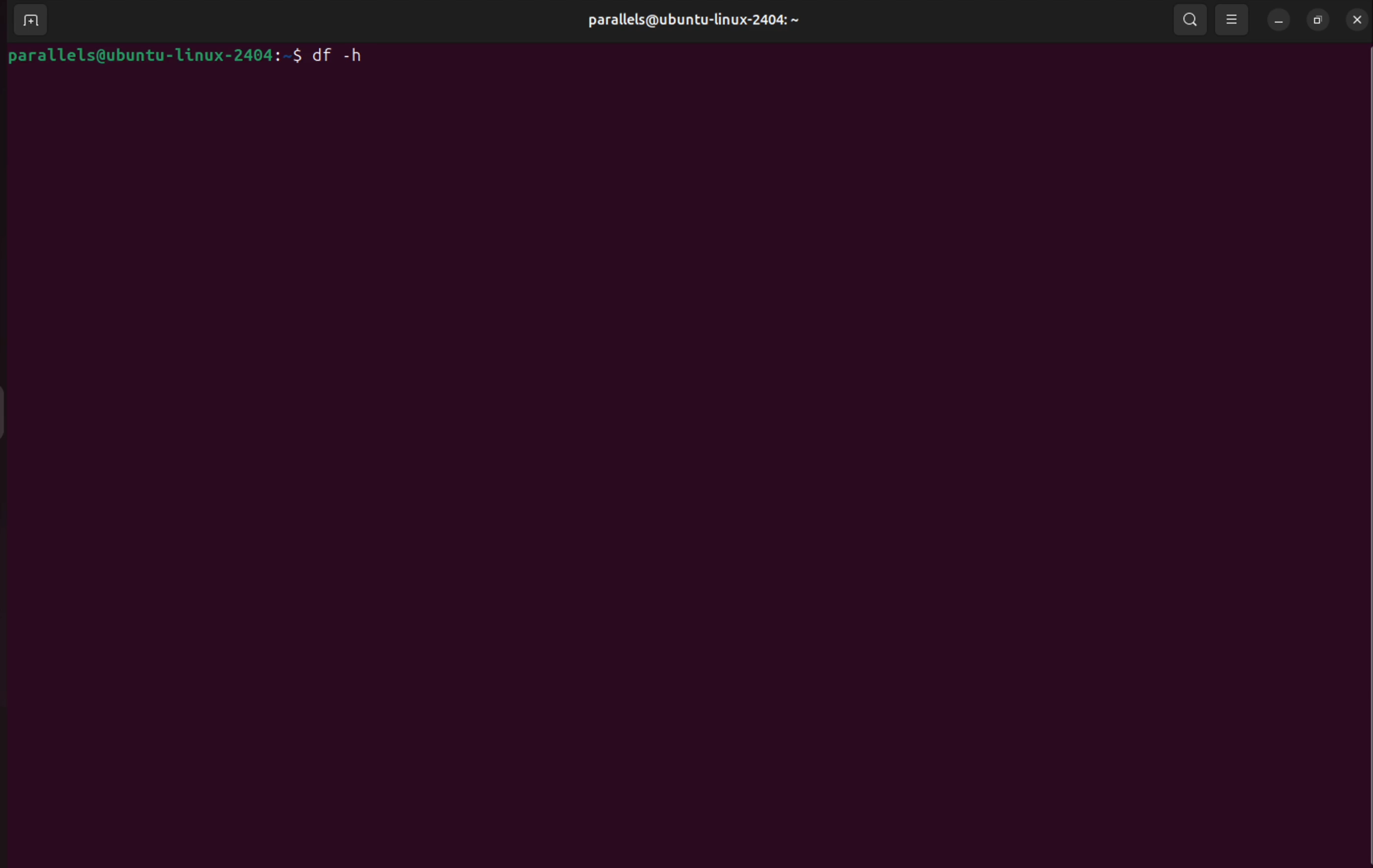 This screenshot has width=1373, height=868. What do you see at coordinates (1358, 19) in the screenshot?
I see `close` at bounding box center [1358, 19].